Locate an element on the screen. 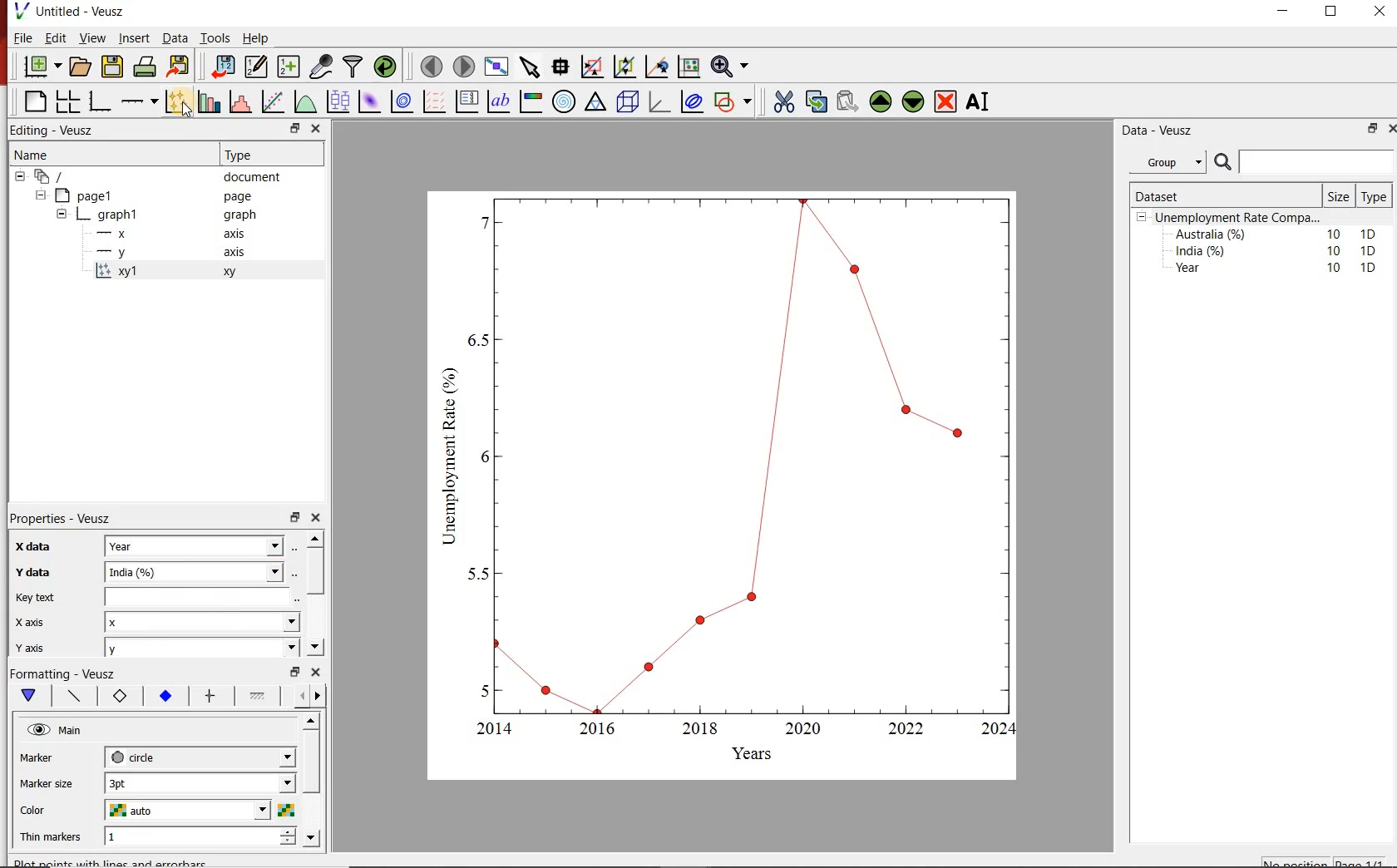 This screenshot has width=1397, height=868. image color bar is located at coordinates (531, 102).